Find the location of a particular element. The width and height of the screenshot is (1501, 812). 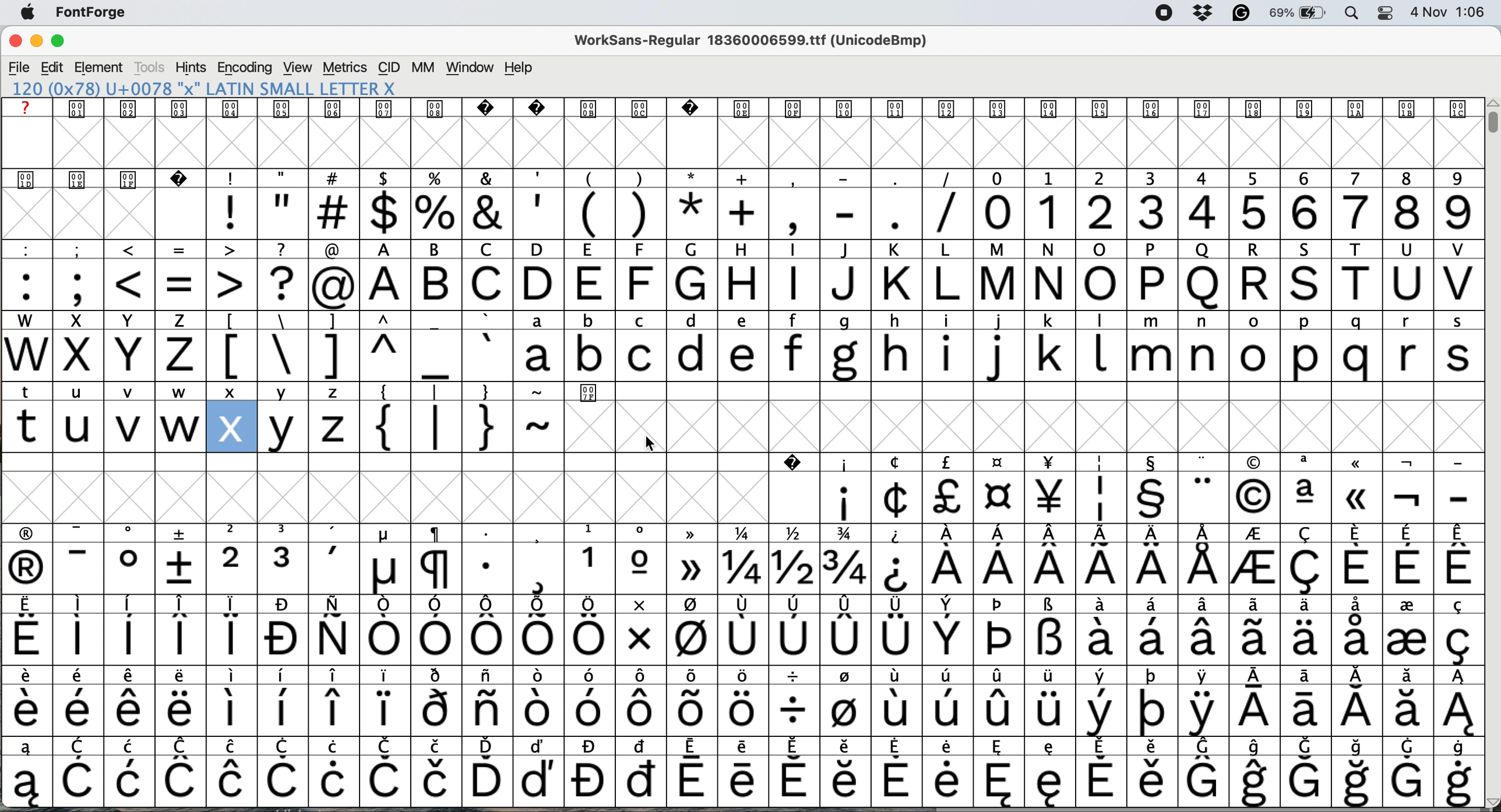

glyph grid is located at coordinates (108, 217).